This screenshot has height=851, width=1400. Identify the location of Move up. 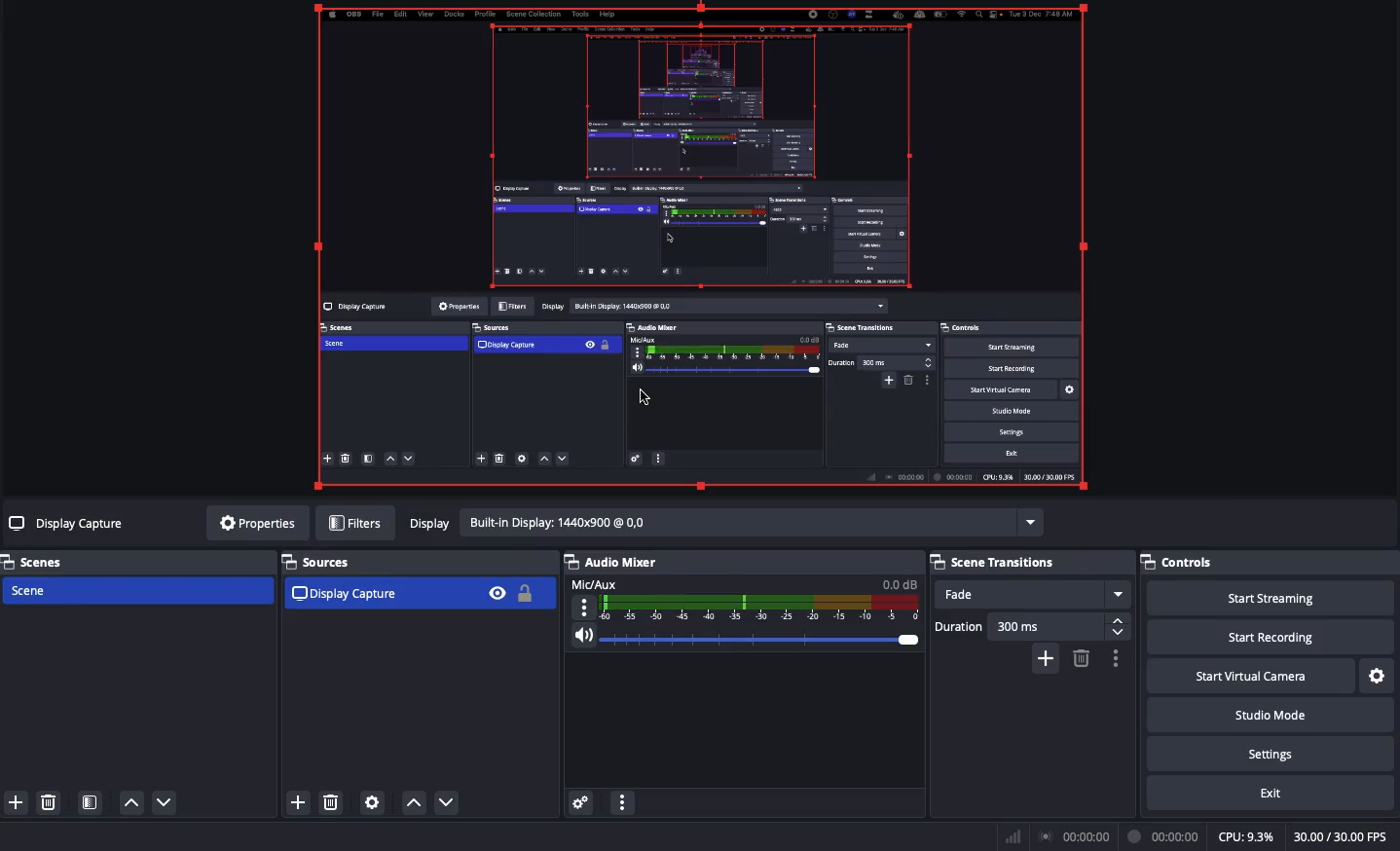
(129, 805).